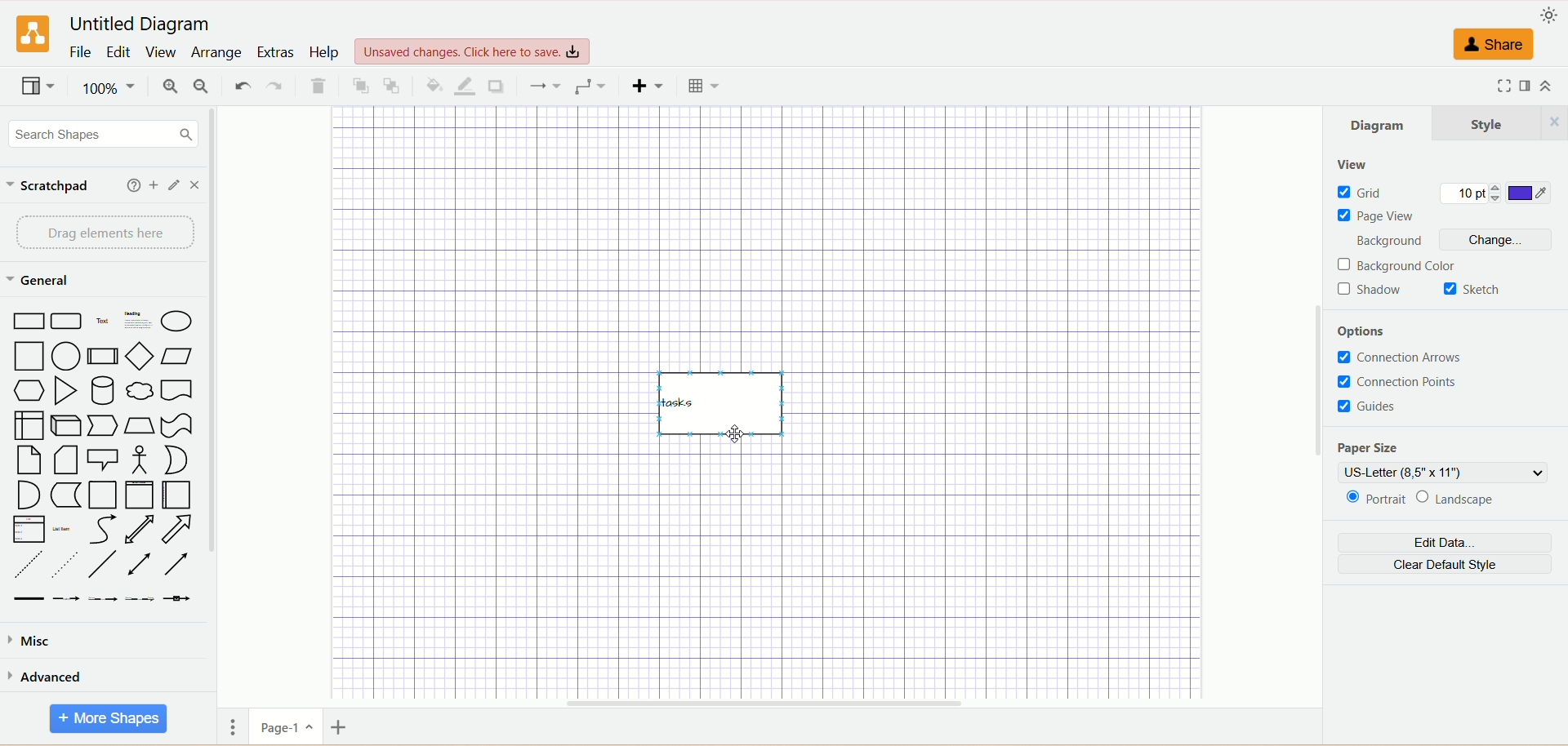 The height and width of the screenshot is (746, 1568). What do you see at coordinates (195, 186) in the screenshot?
I see `close` at bounding box center [195, 186].